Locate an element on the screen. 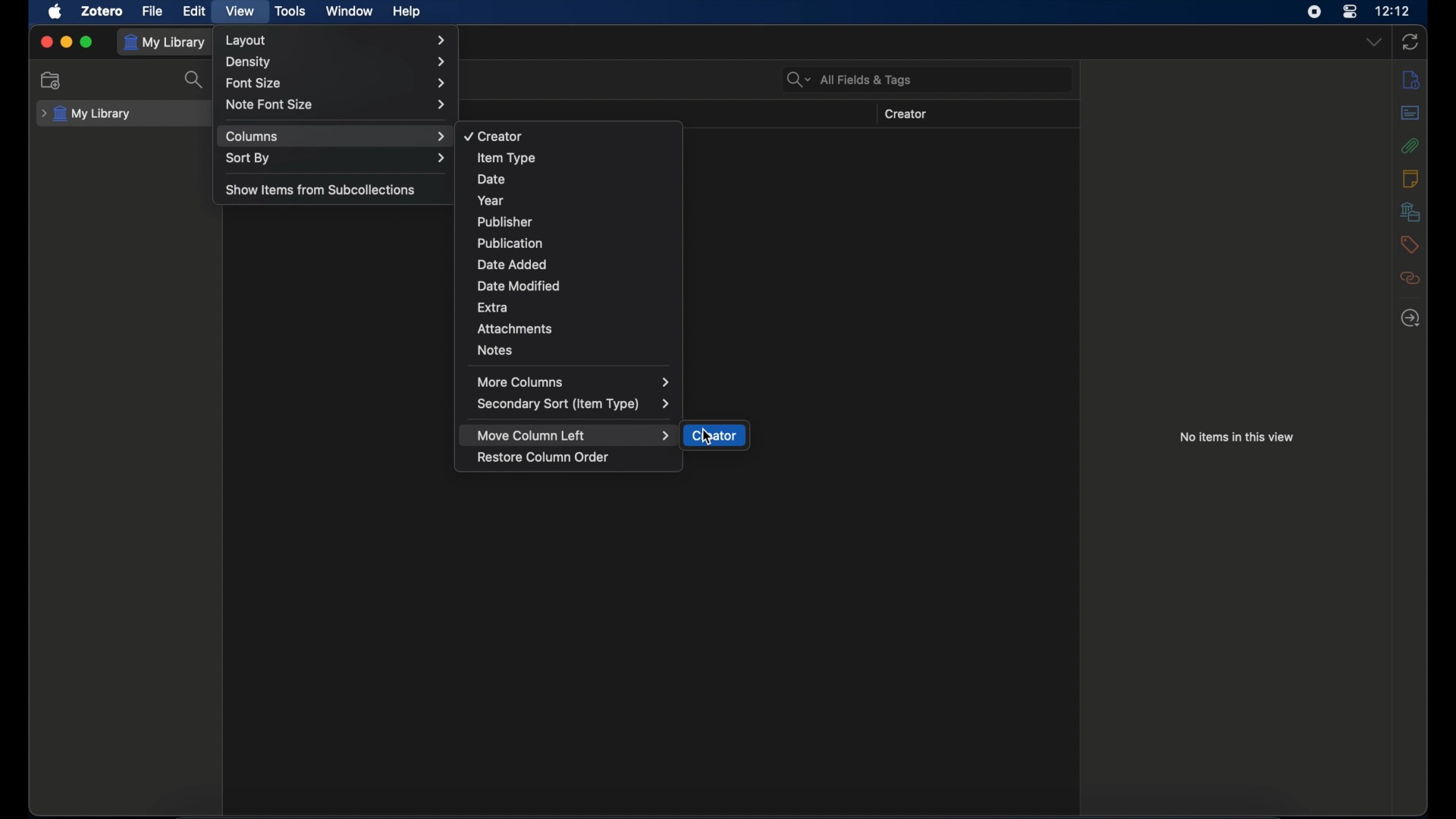 The height and width of the screenshot is (819, 1456). tools is located at coordinates (290, 12).